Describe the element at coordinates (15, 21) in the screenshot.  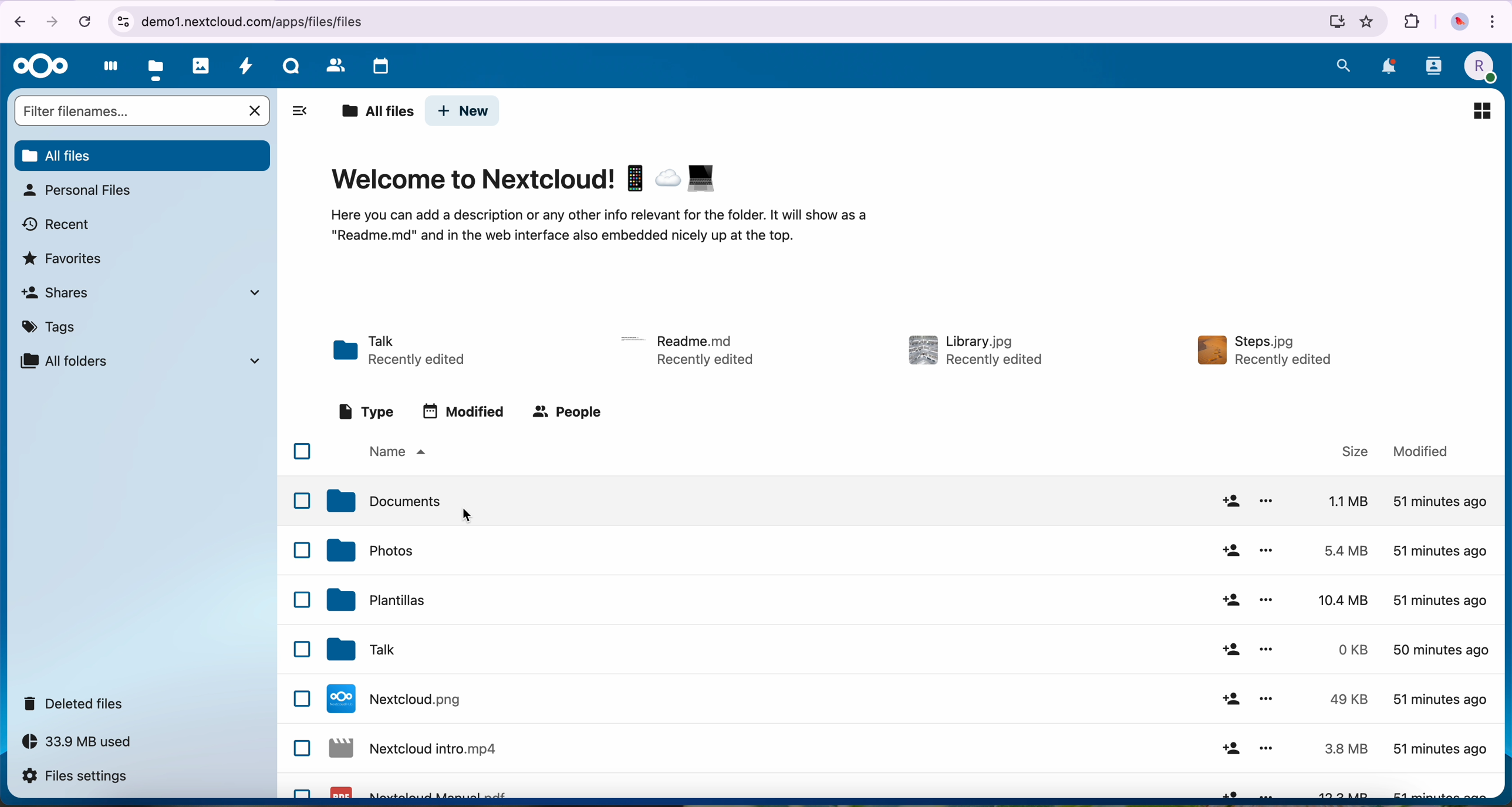
I see `navigate back` at that location.